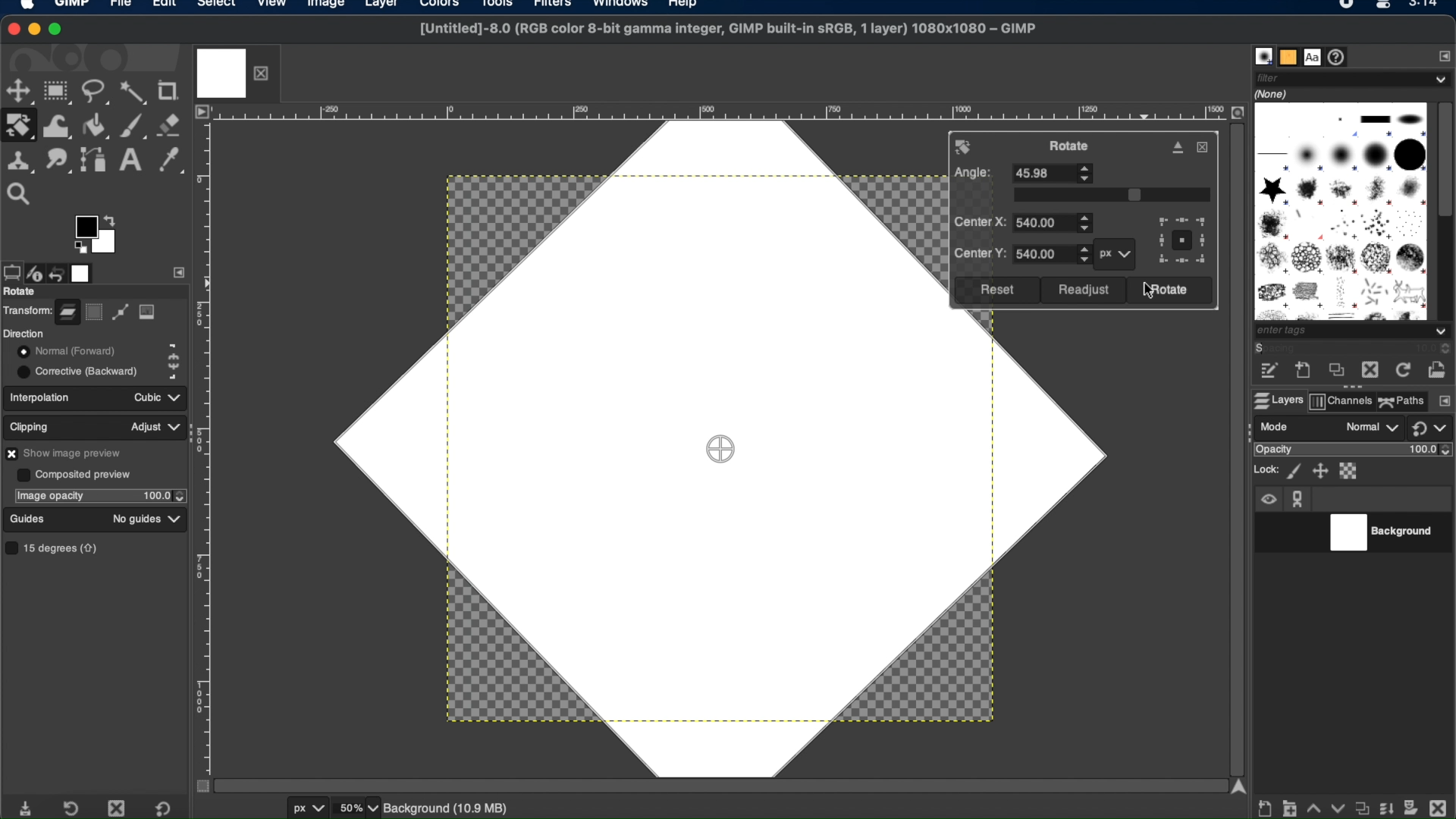 The height and width of the screenshot is (819, 1456). I want to click on guides dropdown, so click(176, 519).